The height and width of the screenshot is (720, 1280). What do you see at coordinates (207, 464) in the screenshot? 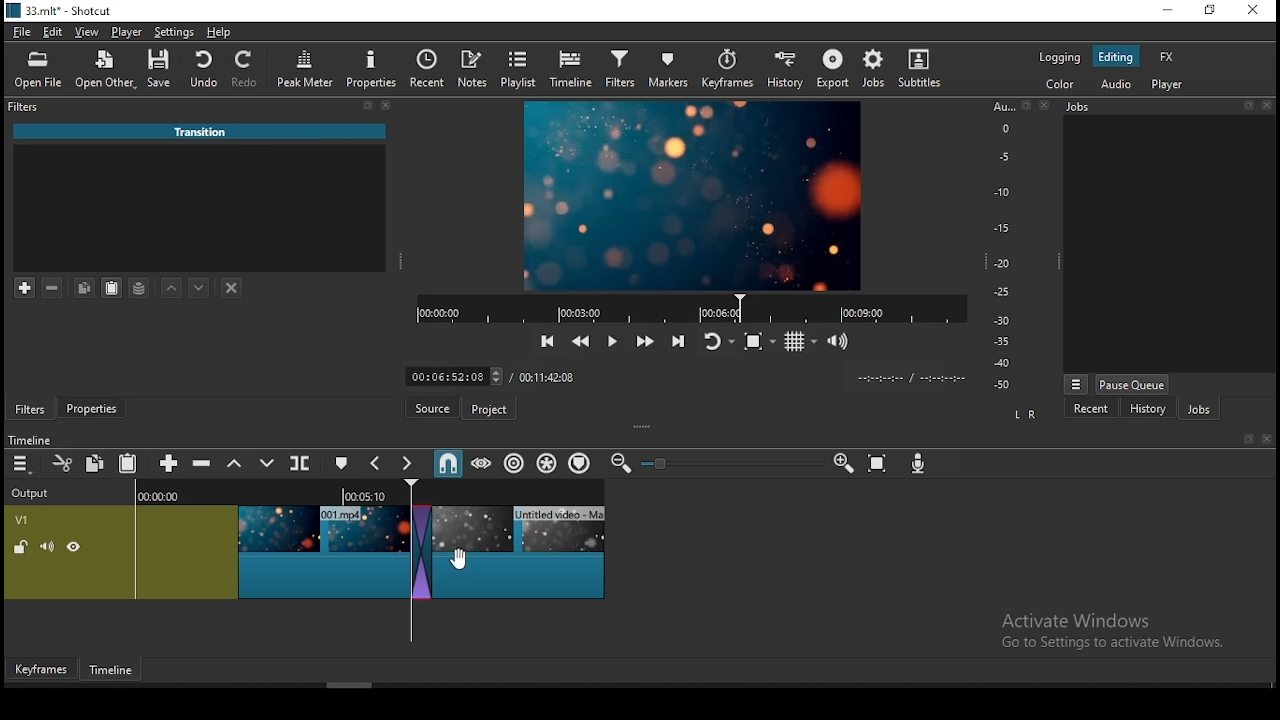
I see `ripple delete` at bounding box center [207, 464].